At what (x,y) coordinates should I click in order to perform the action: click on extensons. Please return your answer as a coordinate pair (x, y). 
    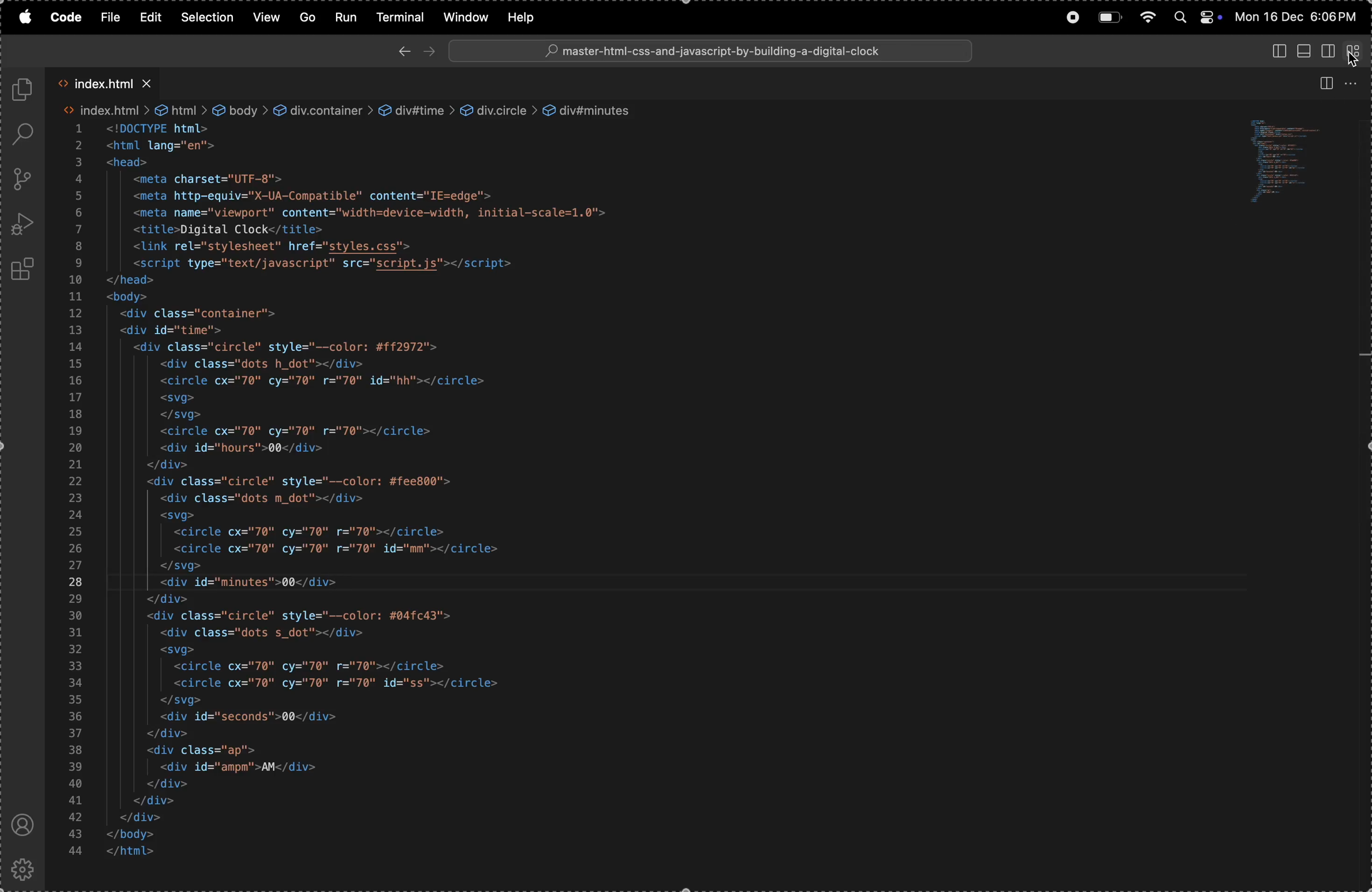
    Looking at the image, I should click on (24, 272).